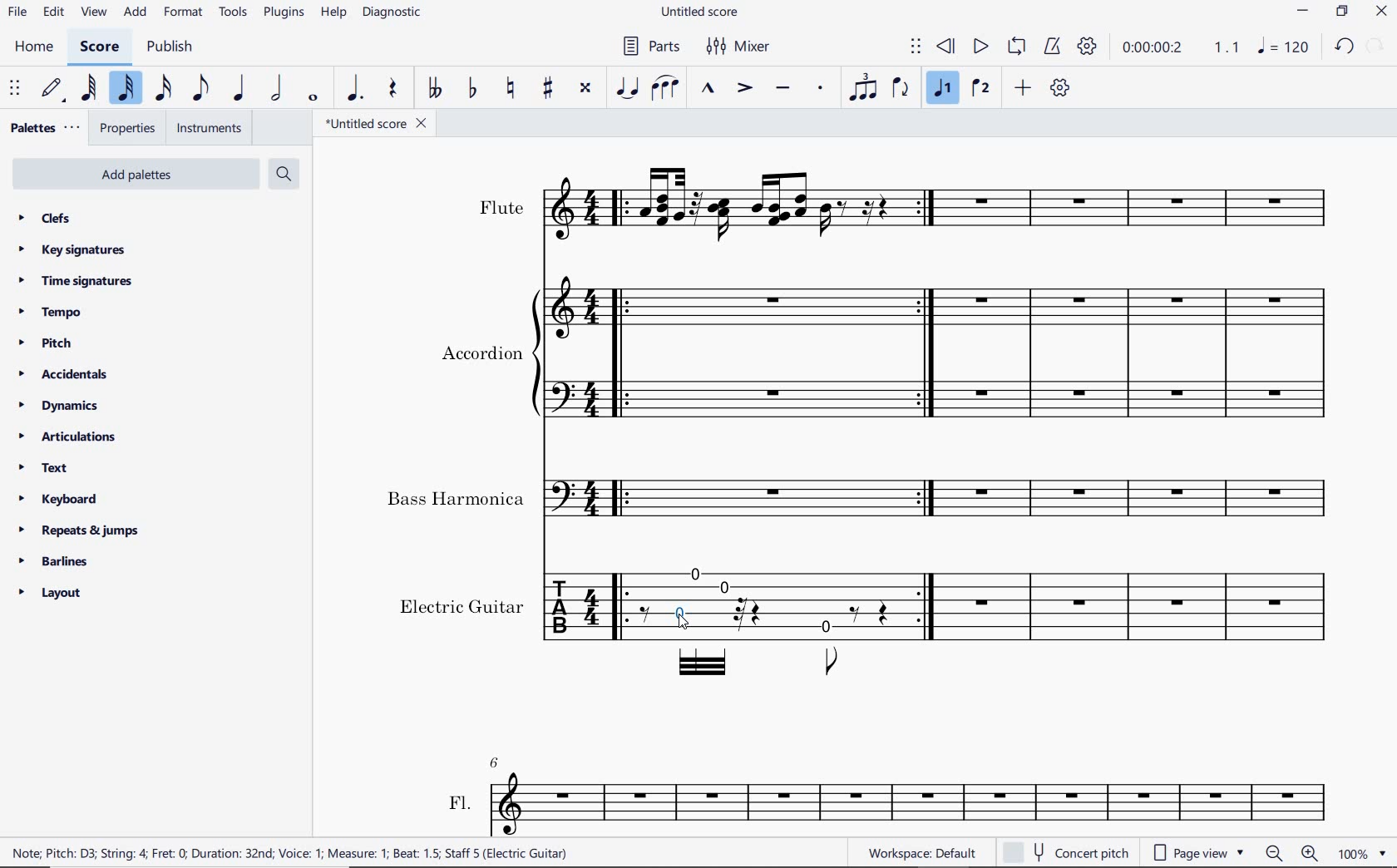  Describe the element at coordinates (79, 531) in the screenshot. I see `repeats & jumps` at that location.